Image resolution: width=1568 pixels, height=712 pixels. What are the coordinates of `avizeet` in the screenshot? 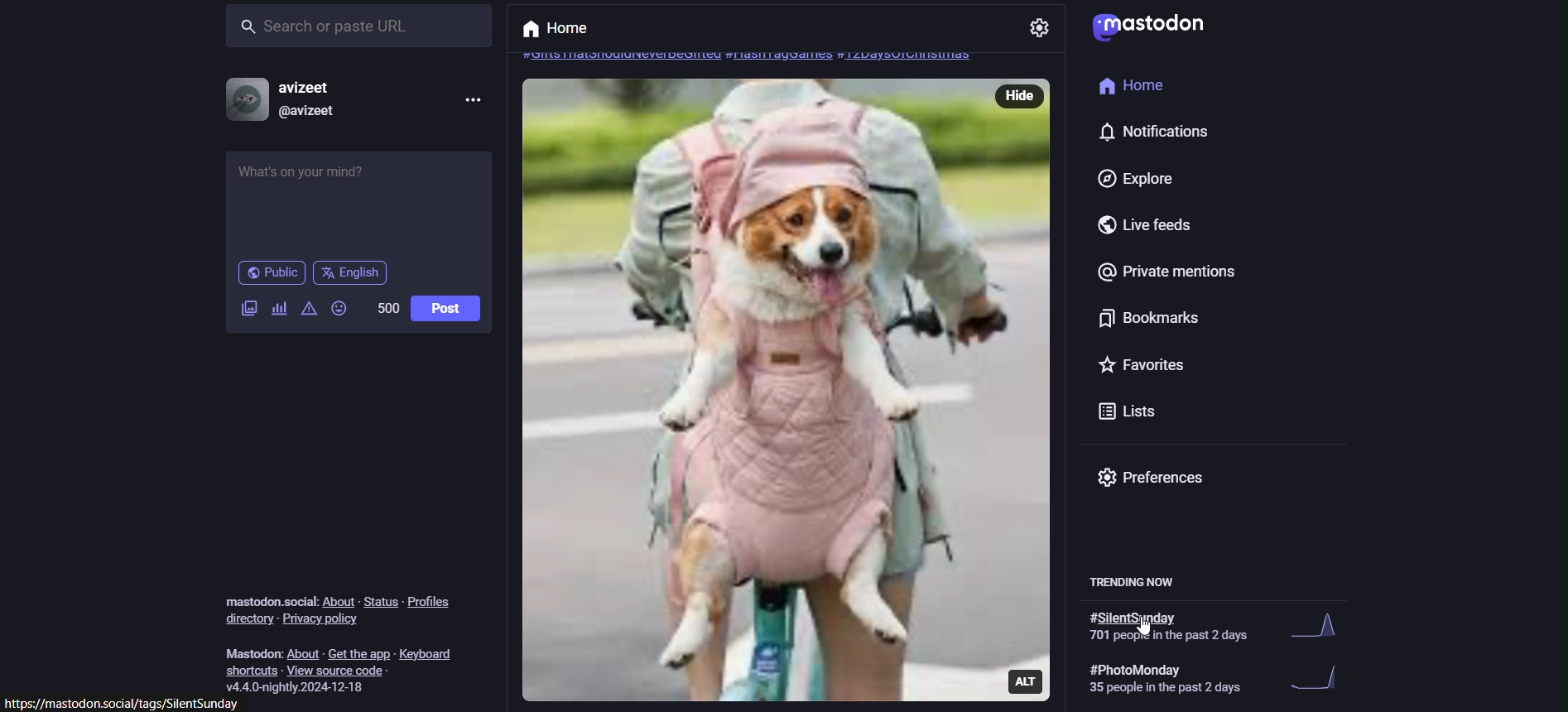 It's located at (317, 88).